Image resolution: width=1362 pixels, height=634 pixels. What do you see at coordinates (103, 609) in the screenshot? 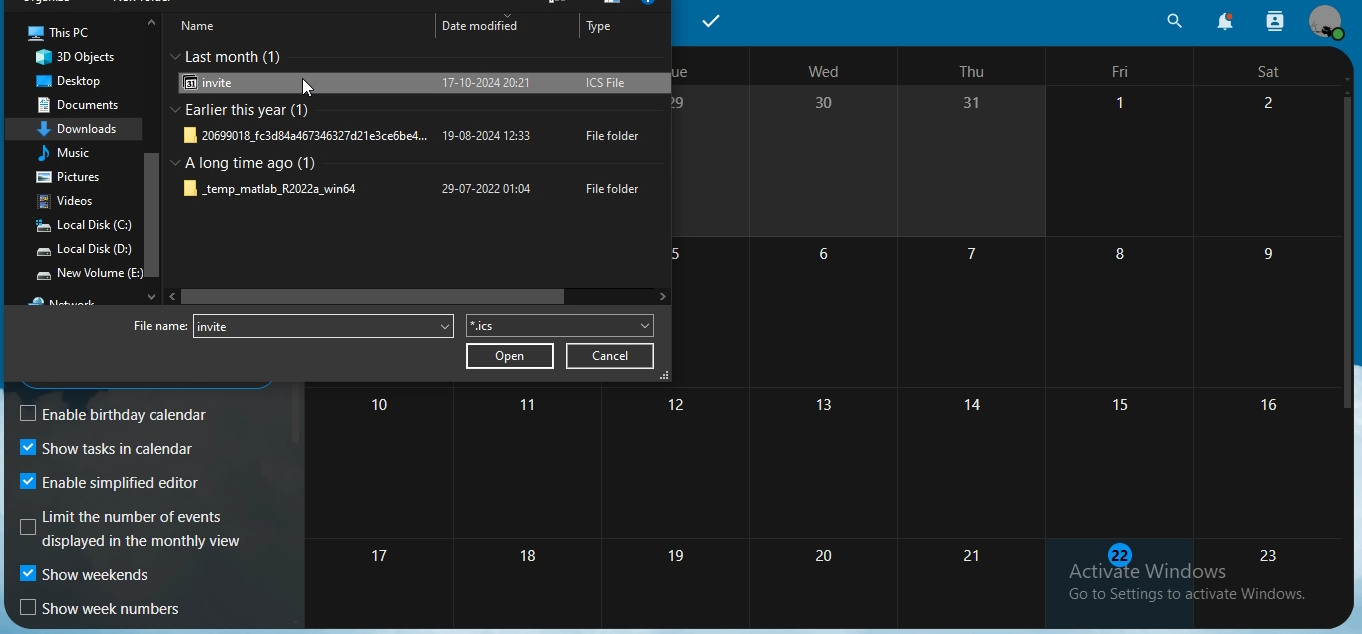
I see `show week numbers` at bounding box center [103, 609].